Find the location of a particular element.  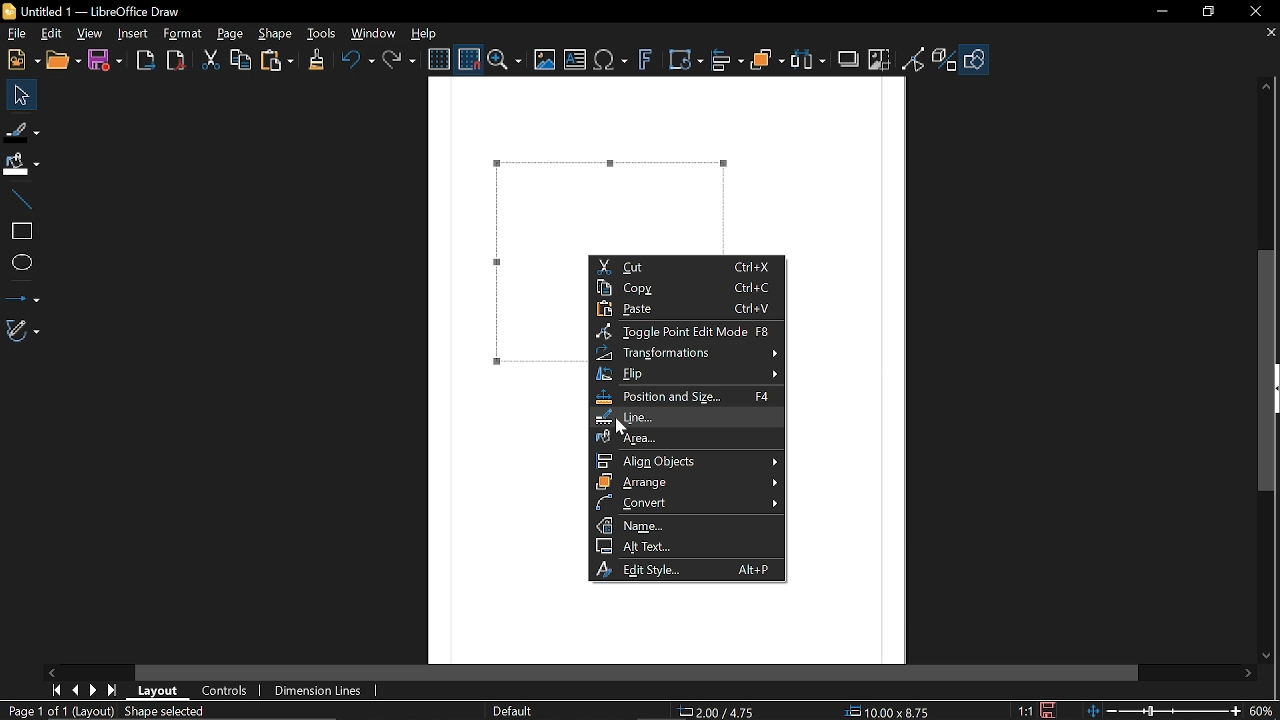

Change zoom is located at coordinates (1159, 711).